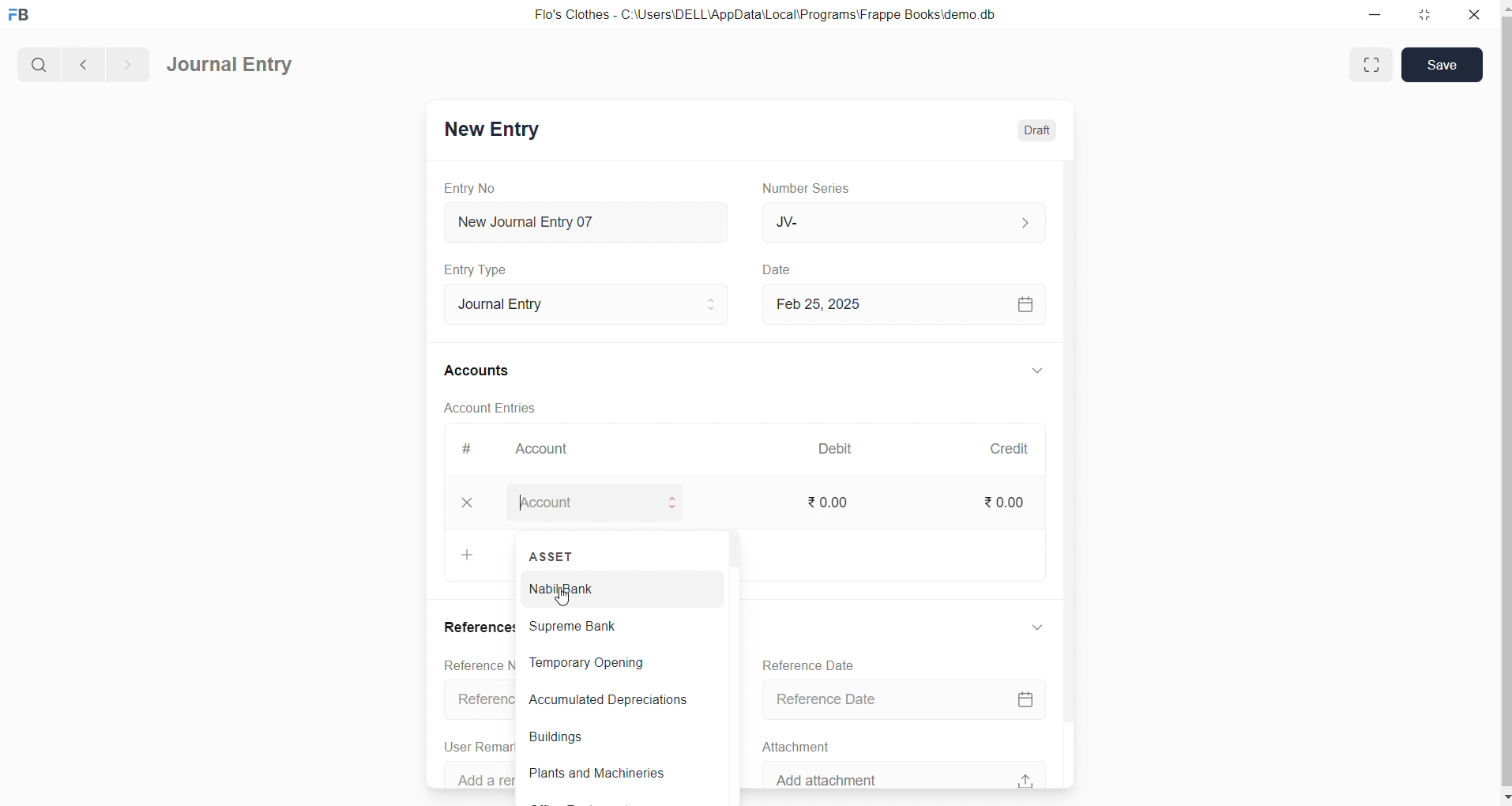 This screenshot has height=806, width=1512. I want to click on navigate forward, so click(127, 62).